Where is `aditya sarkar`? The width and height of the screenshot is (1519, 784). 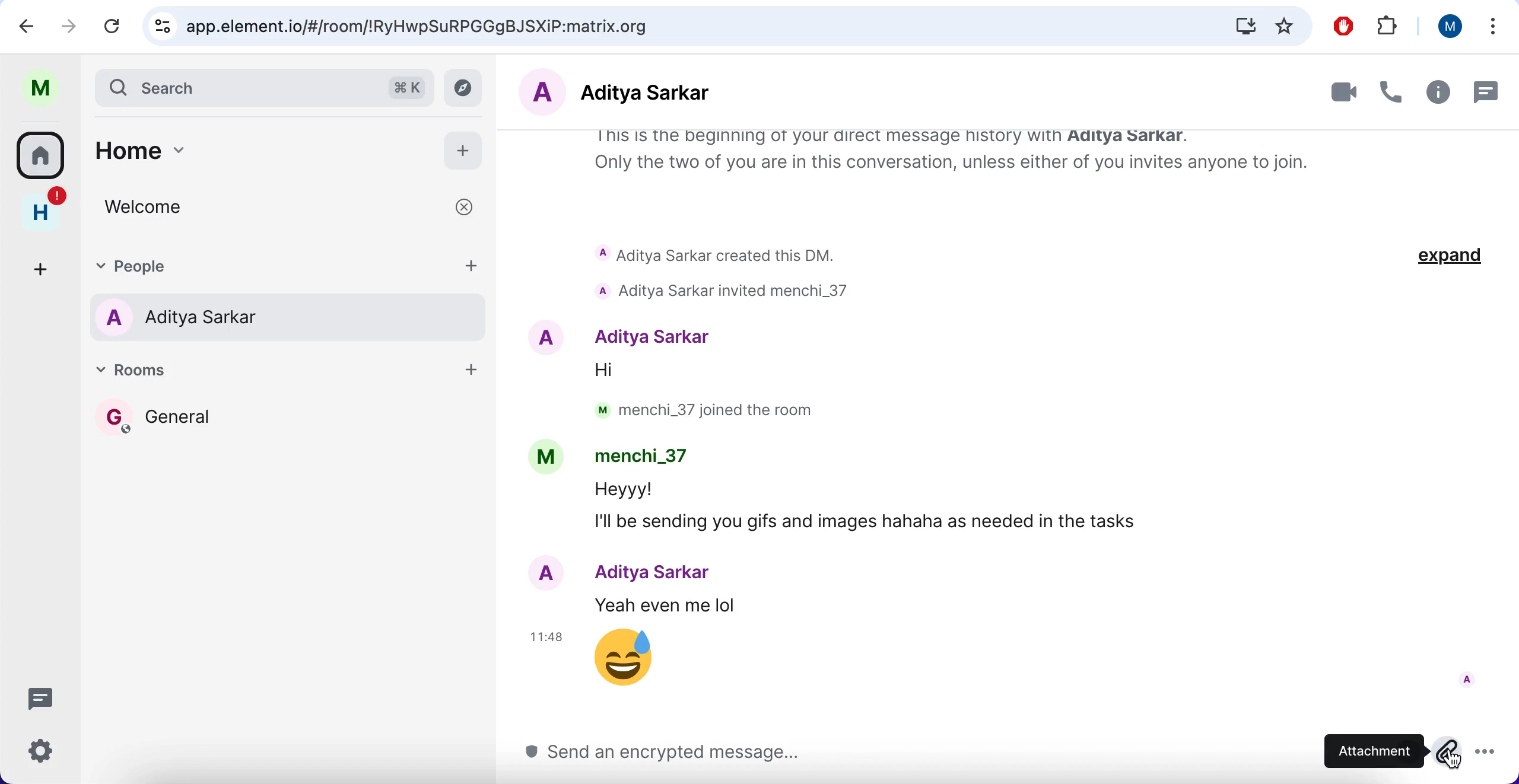
aditya sarkar is located at coordinates (652, 87).